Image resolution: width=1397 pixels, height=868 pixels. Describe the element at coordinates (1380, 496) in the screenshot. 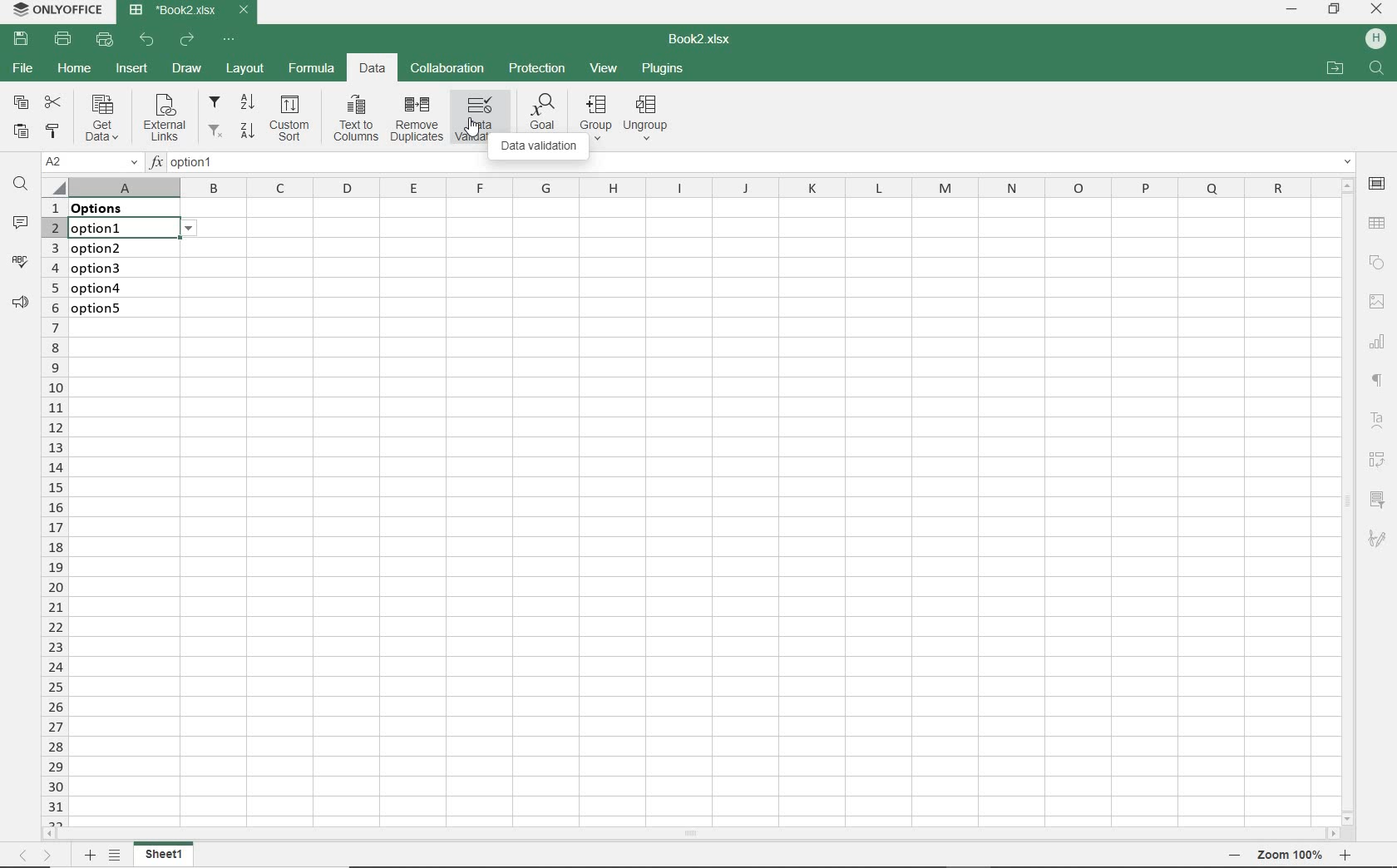

I see `filter` at that location.